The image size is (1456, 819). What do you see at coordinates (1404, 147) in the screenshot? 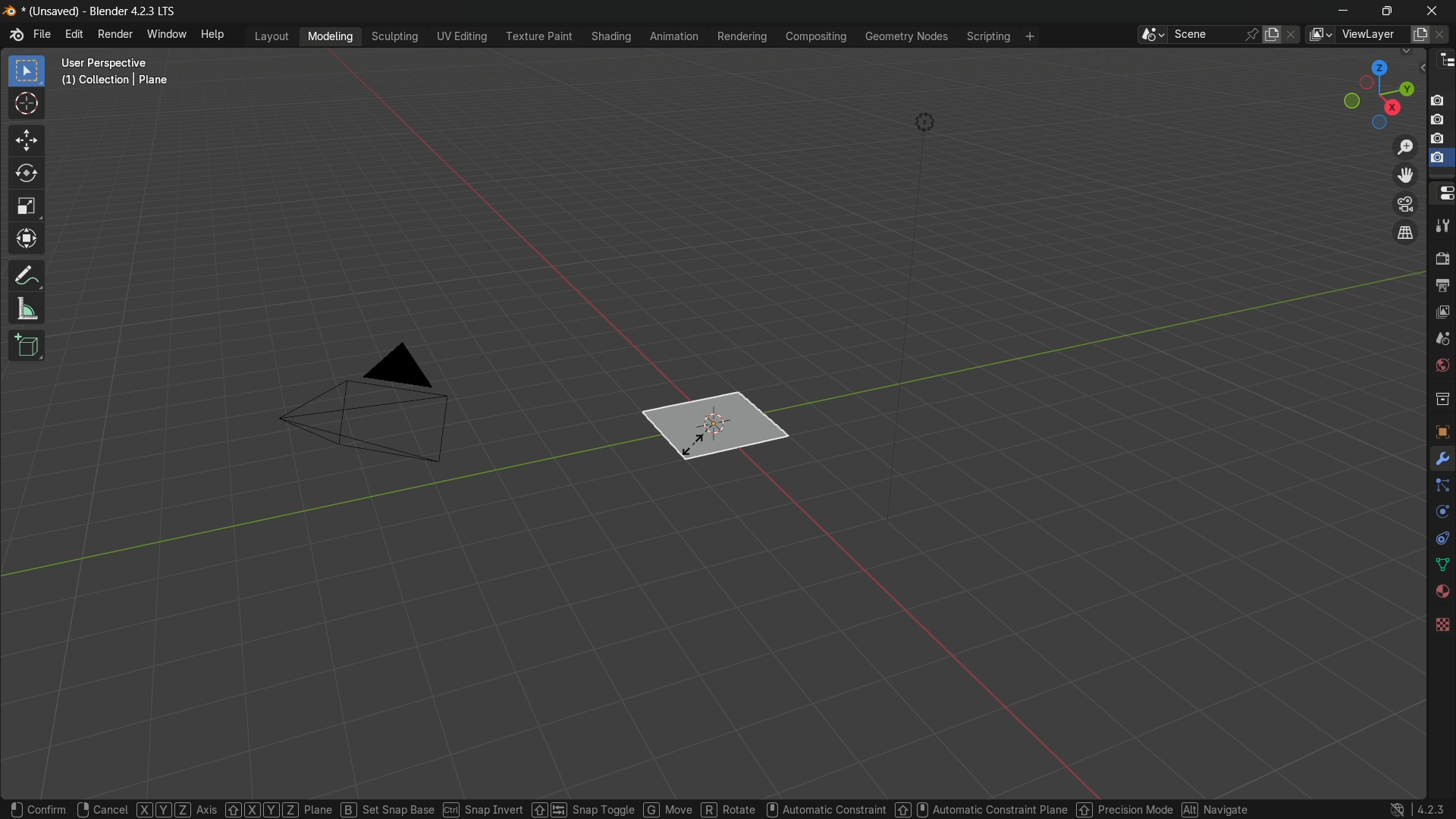
I see `zoom in/out` at bounding box center [1404, 147].